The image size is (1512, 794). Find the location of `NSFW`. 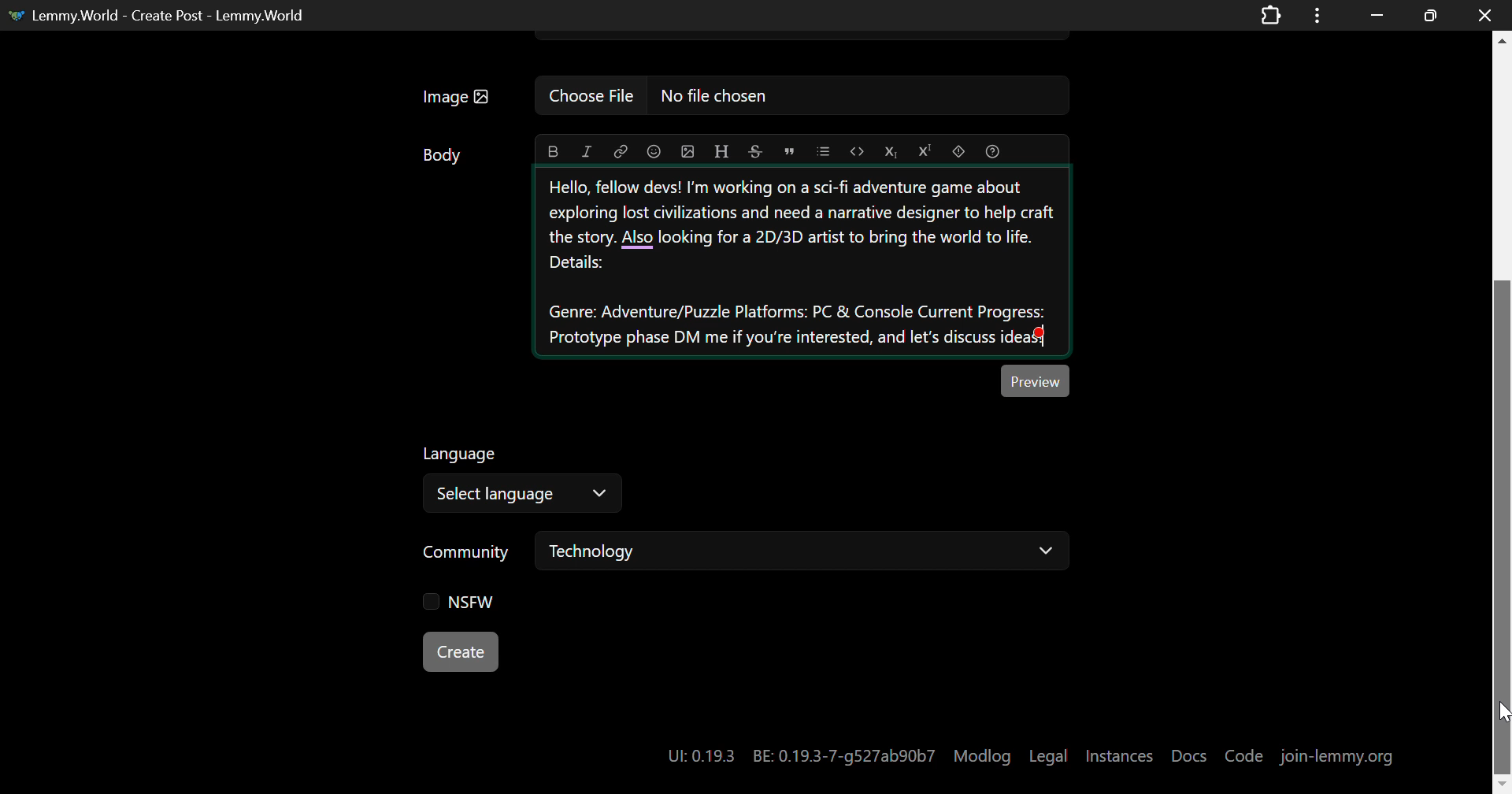

NSFW is located at coordinates (452, 600).